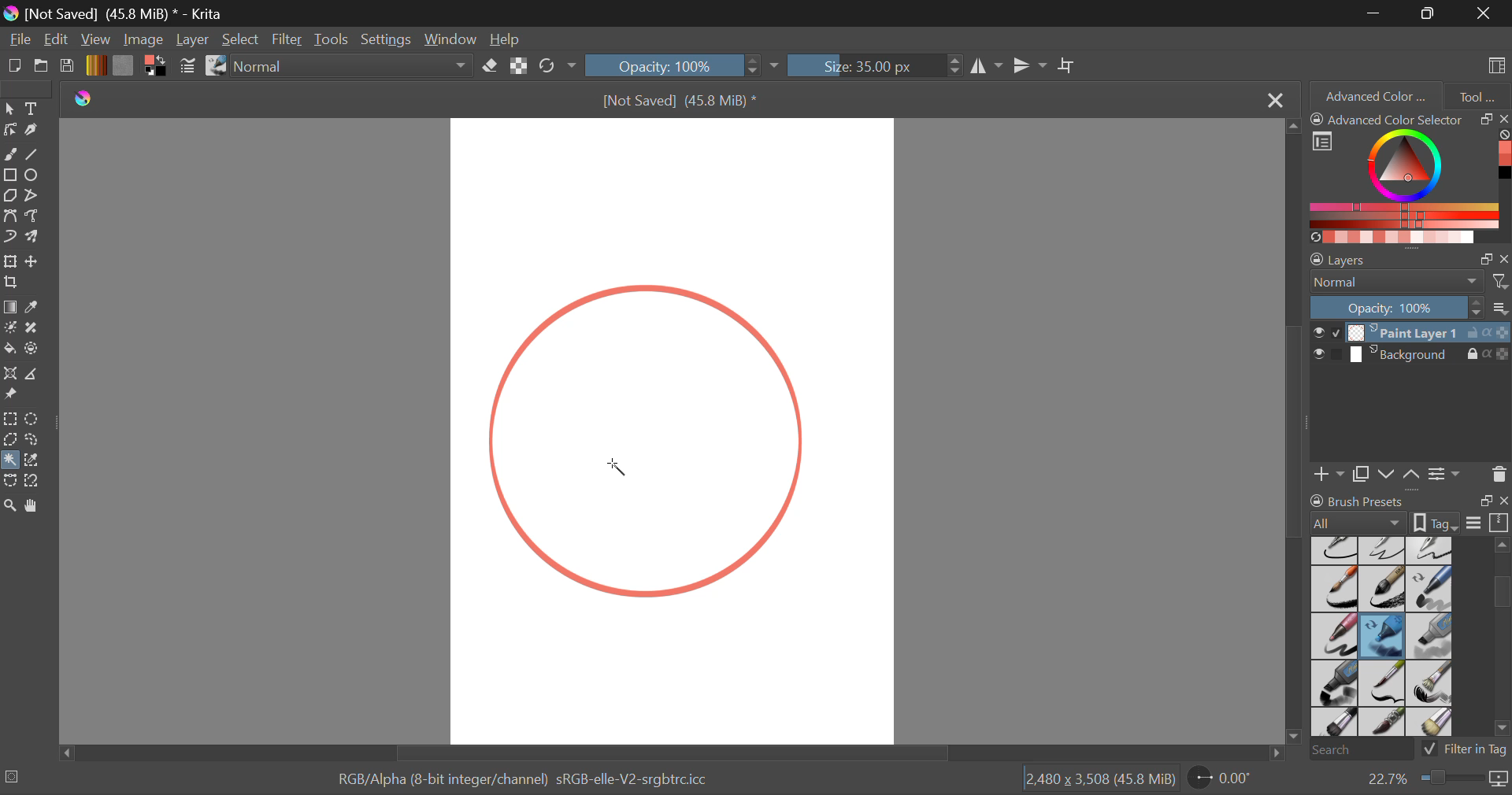  I want to click on Magnetic Curve Selection, so click(38, 481).